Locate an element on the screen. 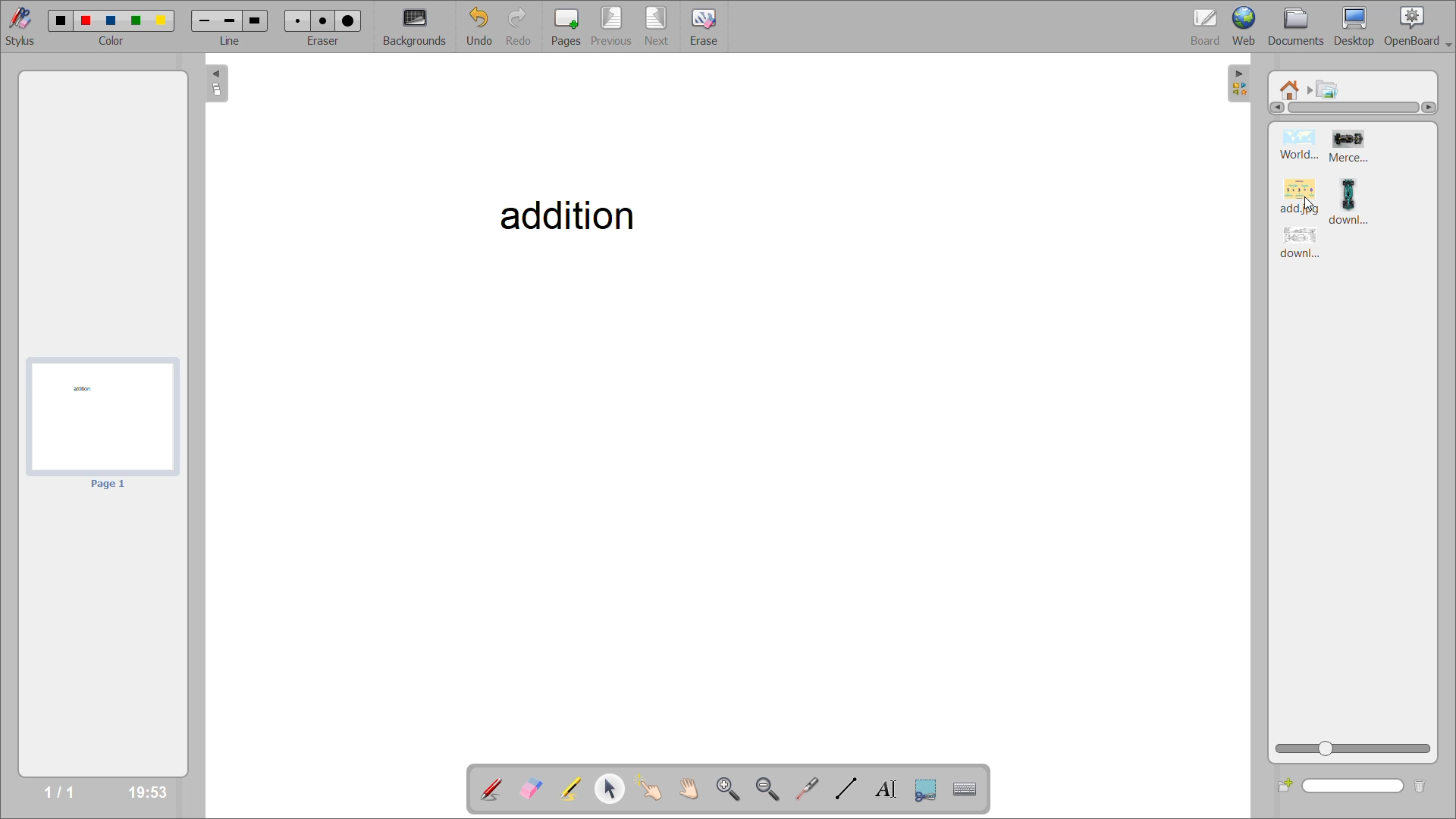 The width and height of the screenshot is (1456, 819). horizontal scroll bar is located at coordinates (1354, 108).